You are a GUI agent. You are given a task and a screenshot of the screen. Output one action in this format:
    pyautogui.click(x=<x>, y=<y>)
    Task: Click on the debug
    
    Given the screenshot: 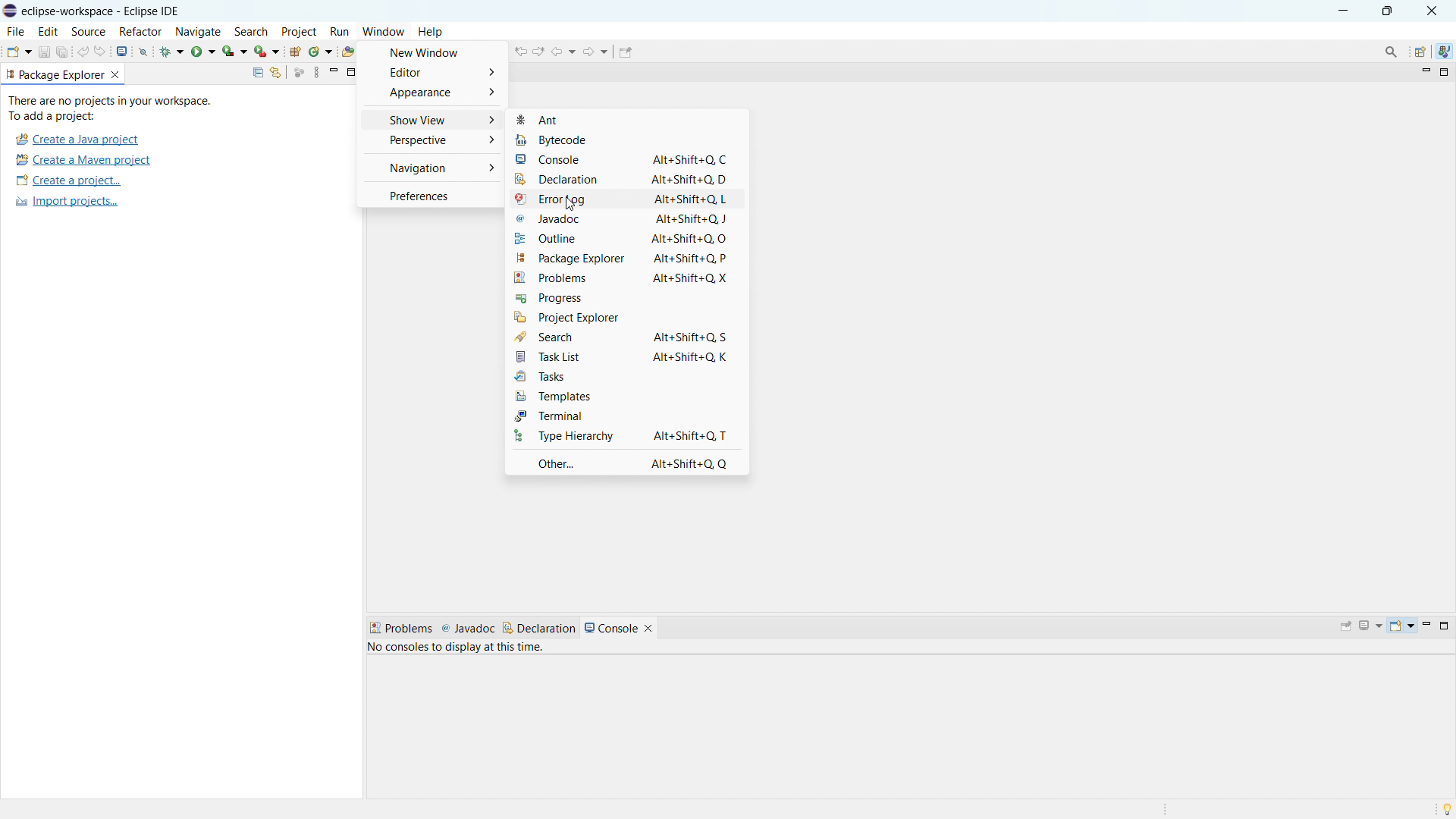 What is the action you would take?
    pyautogui.click(x=172, y=52)
    